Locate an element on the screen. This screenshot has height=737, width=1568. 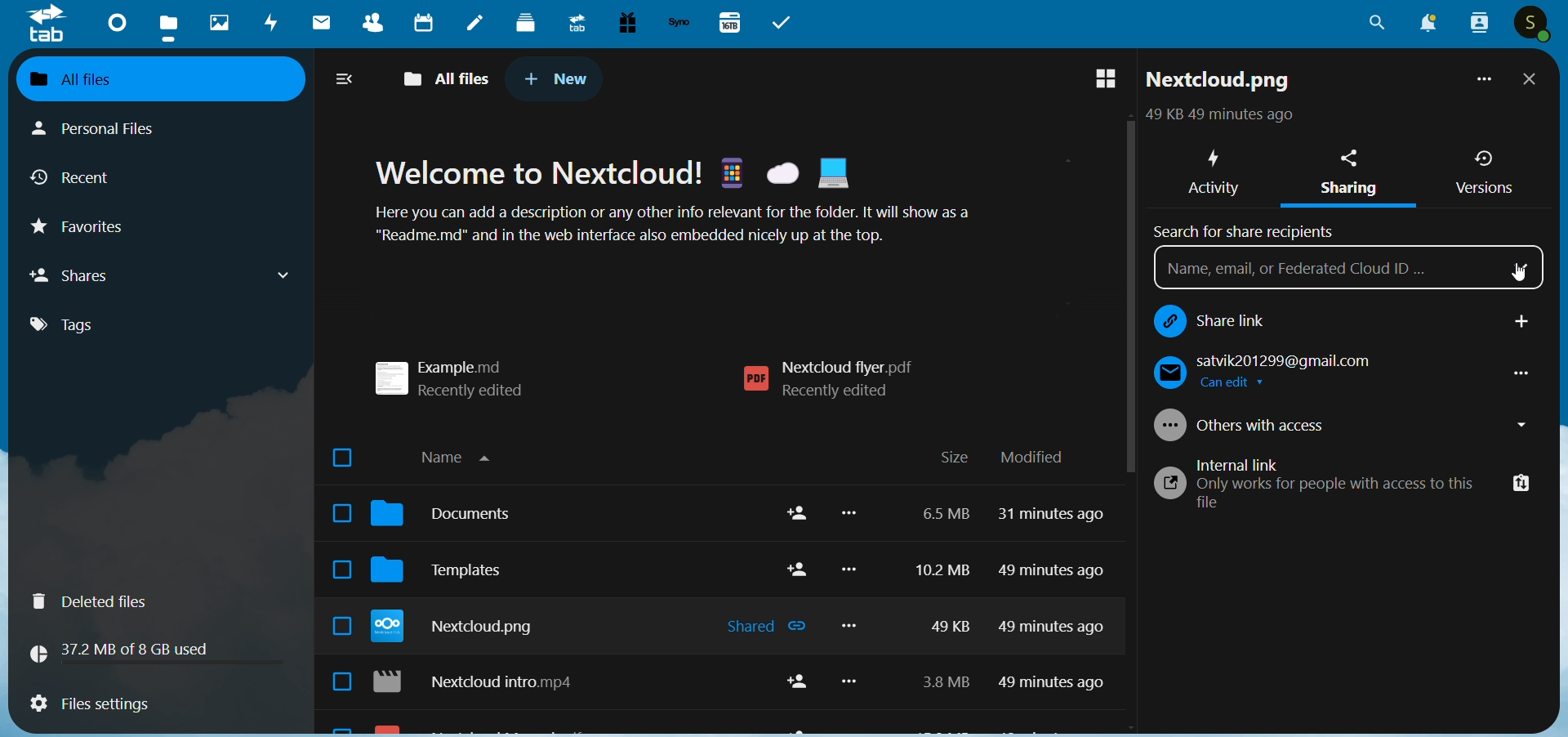
photos is located at coordinates (219, 23).